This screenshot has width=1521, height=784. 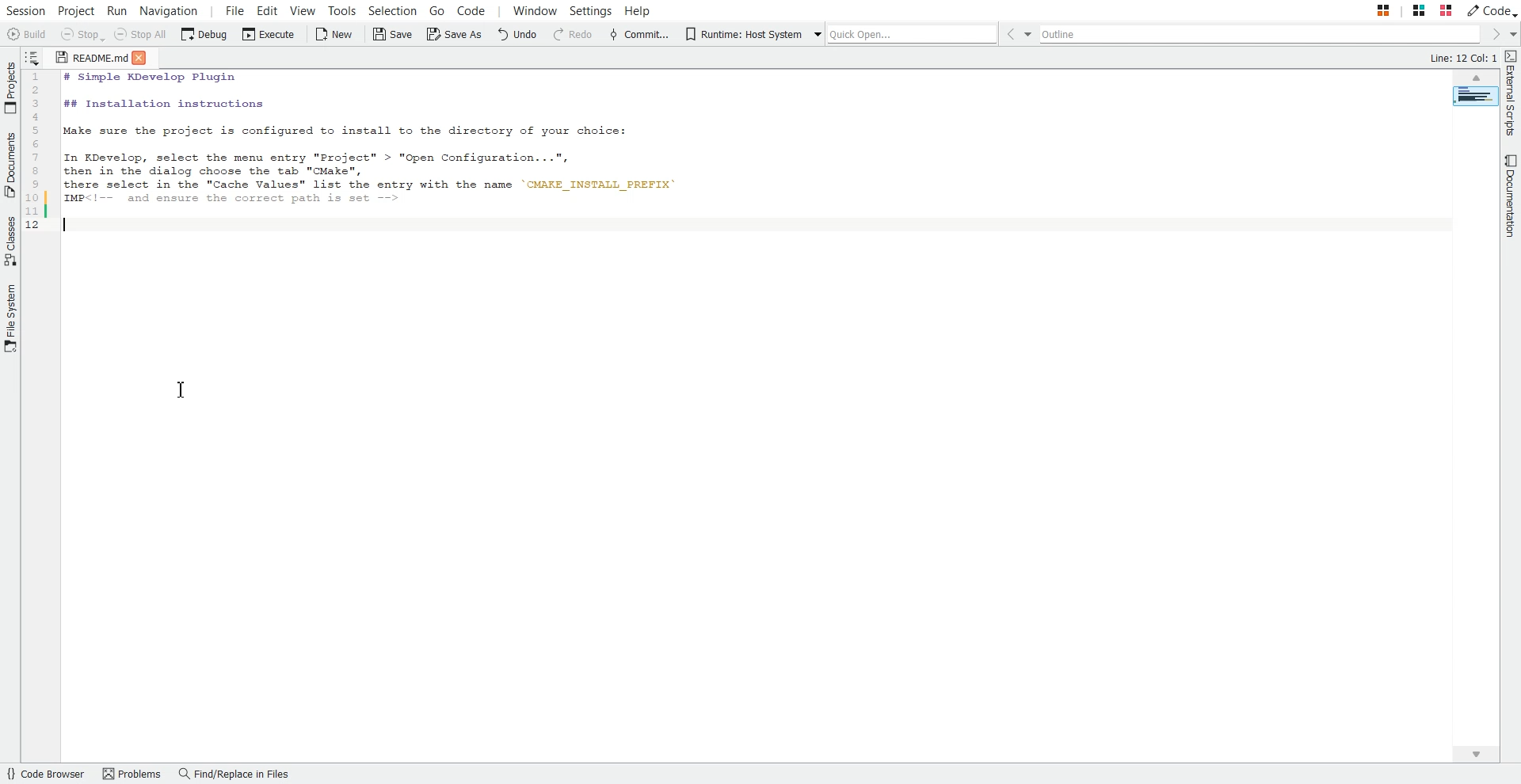 What do you see at coordinates (269, 35) in the screenshot?
I see `Execute` at bounding box center [269, 35].